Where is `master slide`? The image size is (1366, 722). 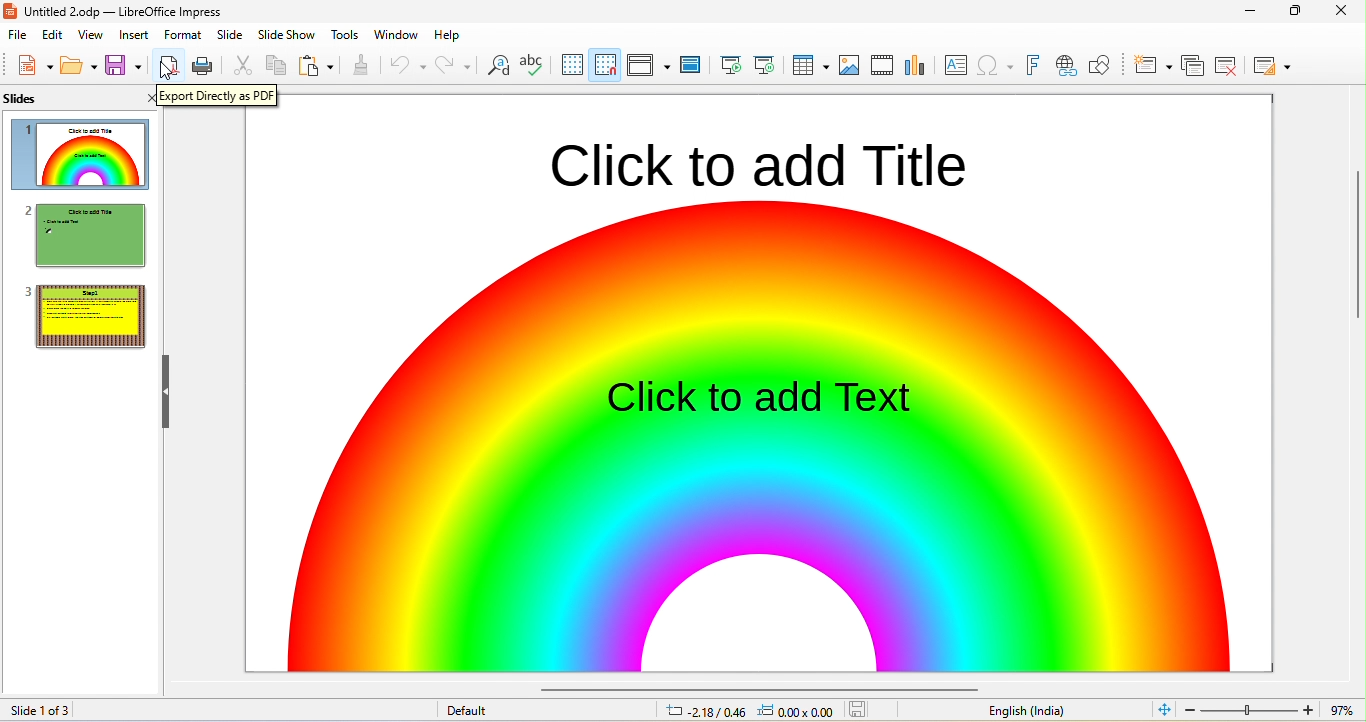 master slide is located at coordinates (690, 65).